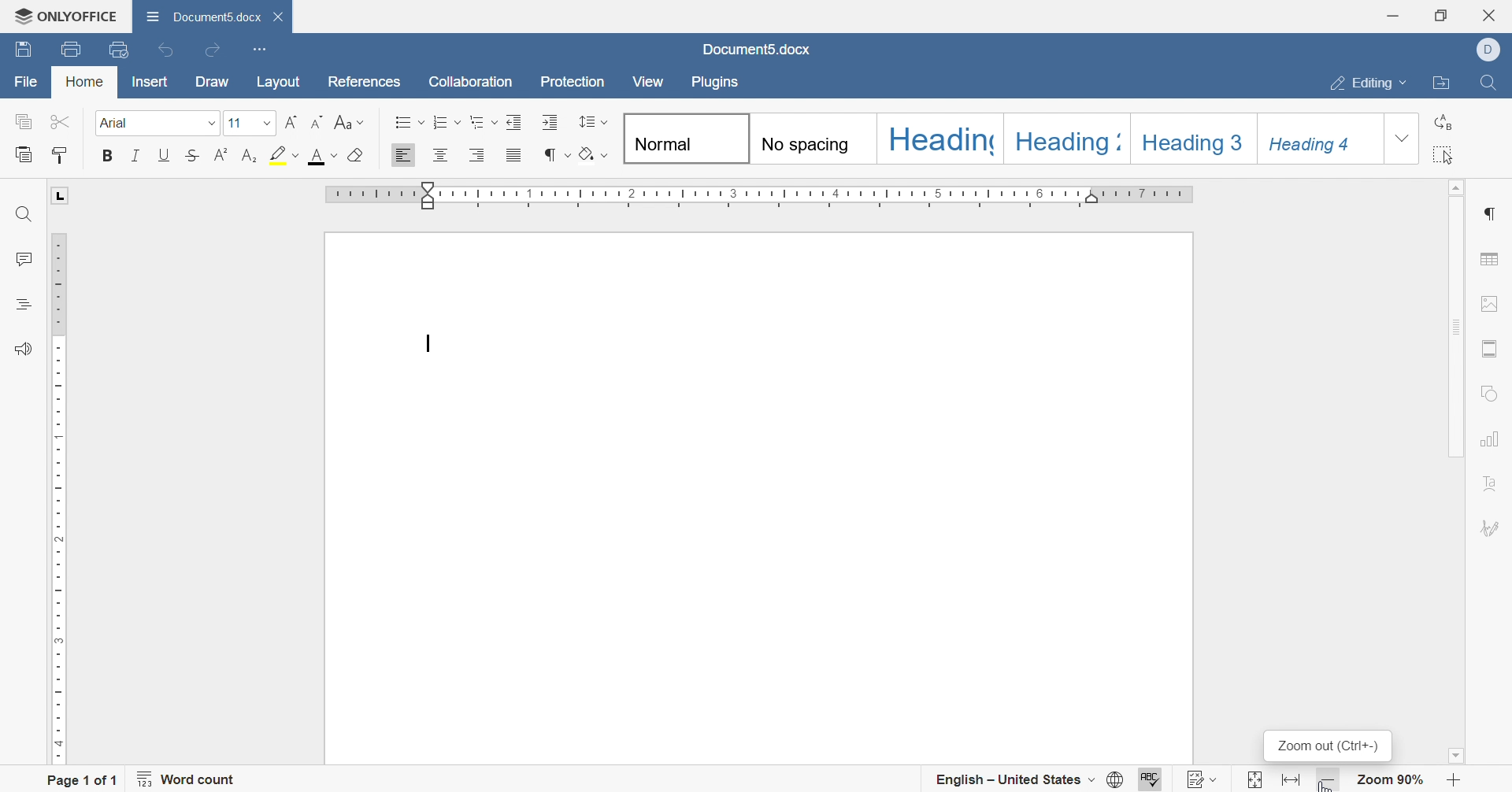  Describe the element at coordinates (1488, 50) in the screenshot. I see `dell` at that location.